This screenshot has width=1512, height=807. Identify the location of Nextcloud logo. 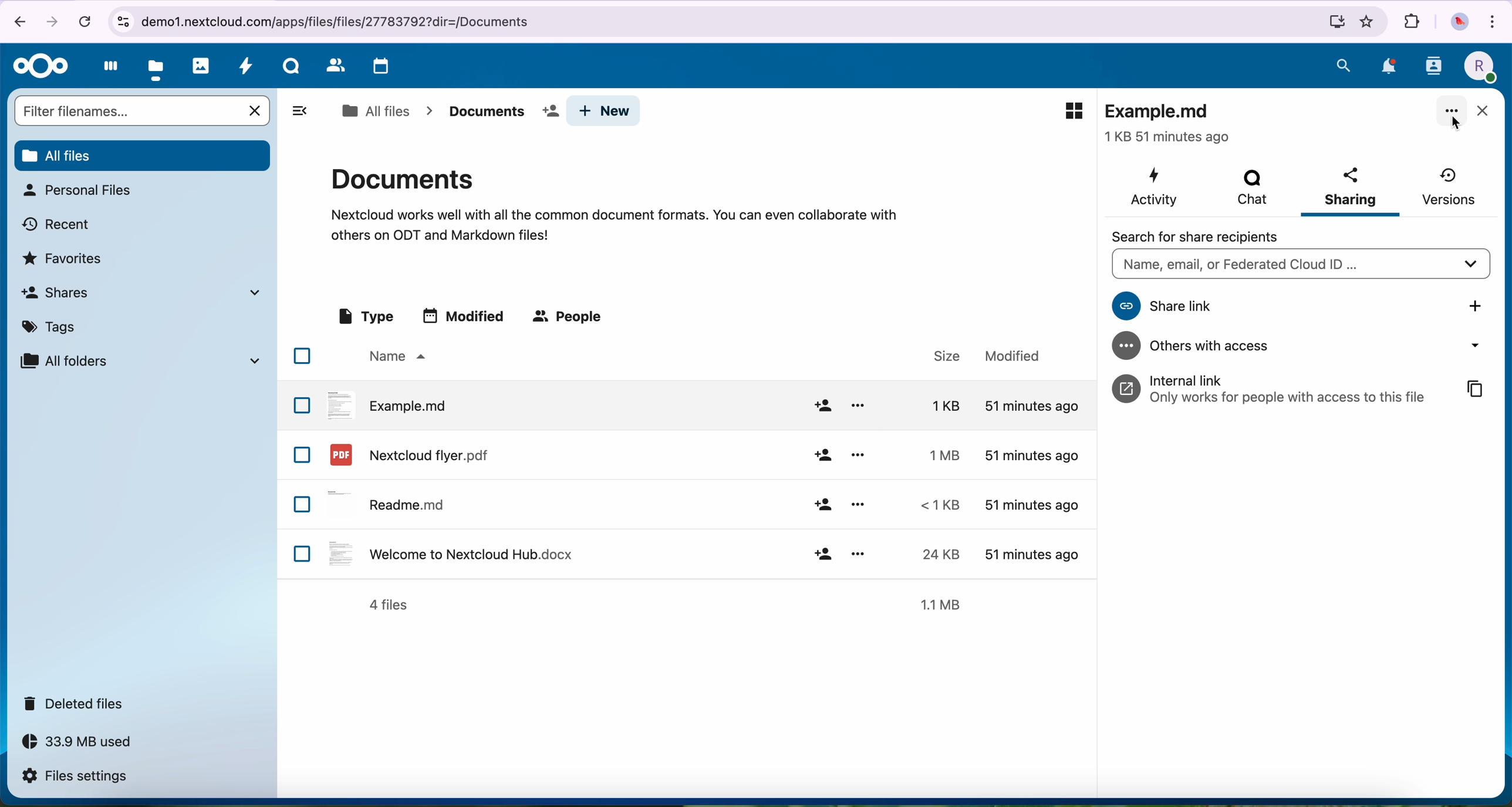
(37, 66).